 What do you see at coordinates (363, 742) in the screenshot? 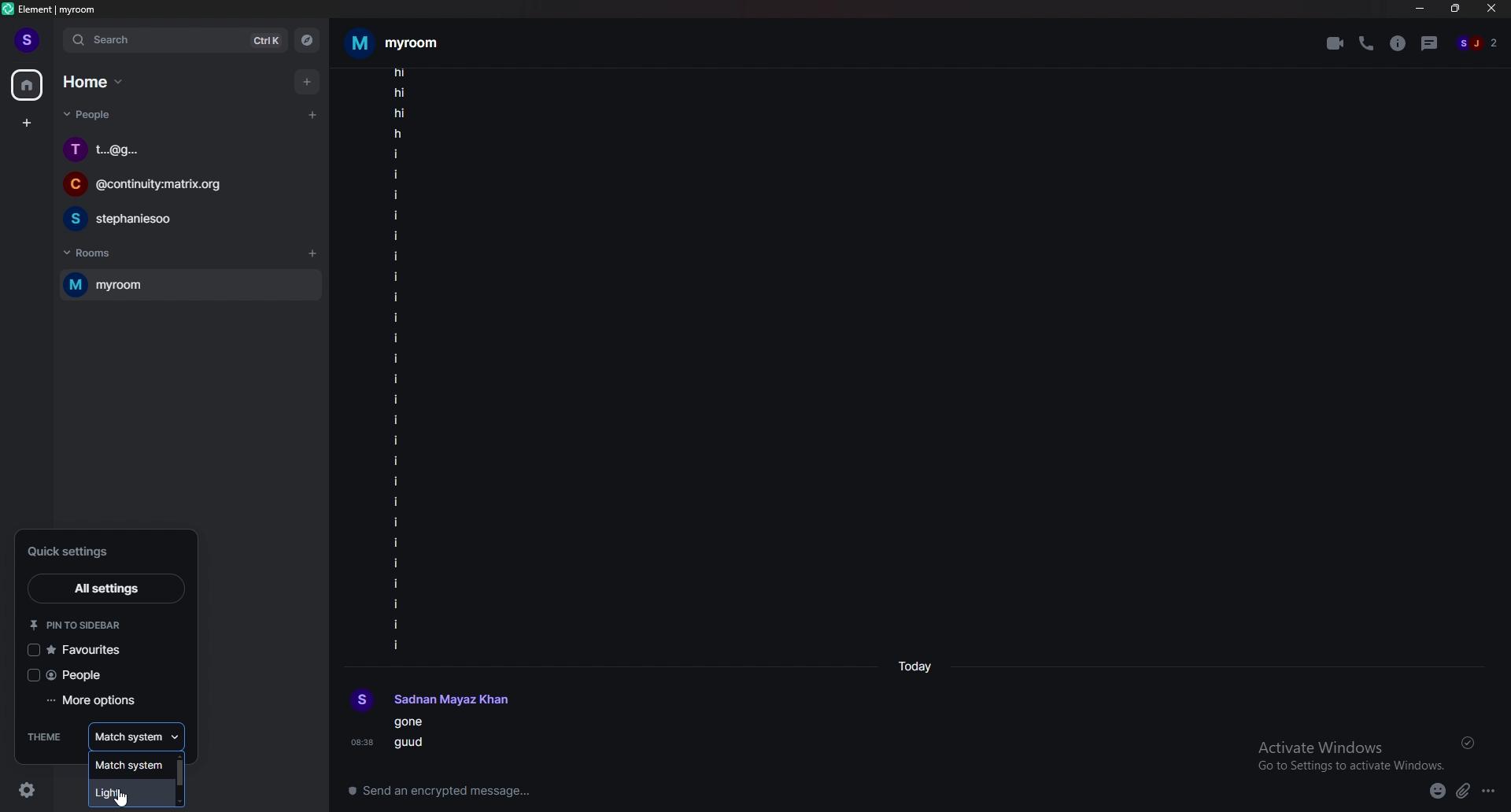
I see `08:38` at bounding box center [363, 742].